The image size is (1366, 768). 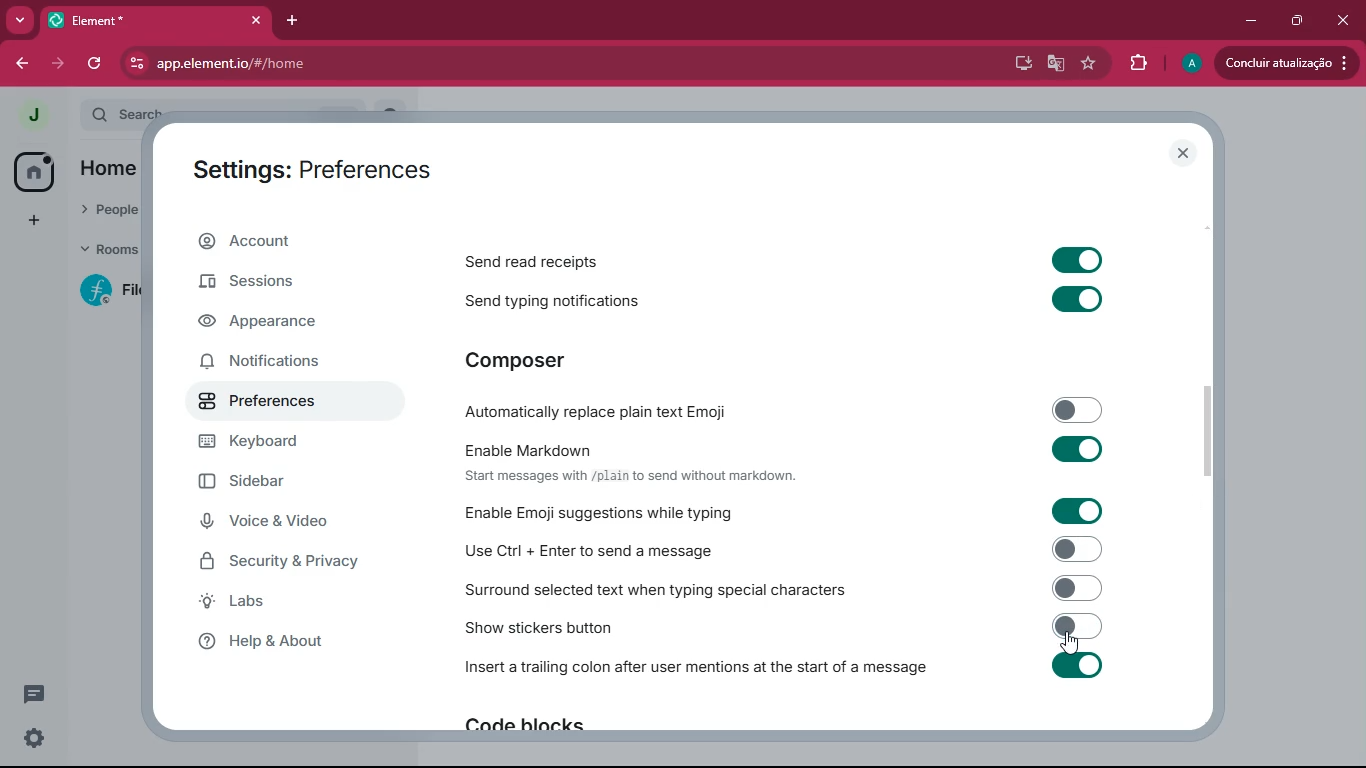 What do you see at coordinates (782, 674) in the screenshot?
I see `Insert a trailing colon after user mentions at the start of a message` at bounding box center [782, 674].